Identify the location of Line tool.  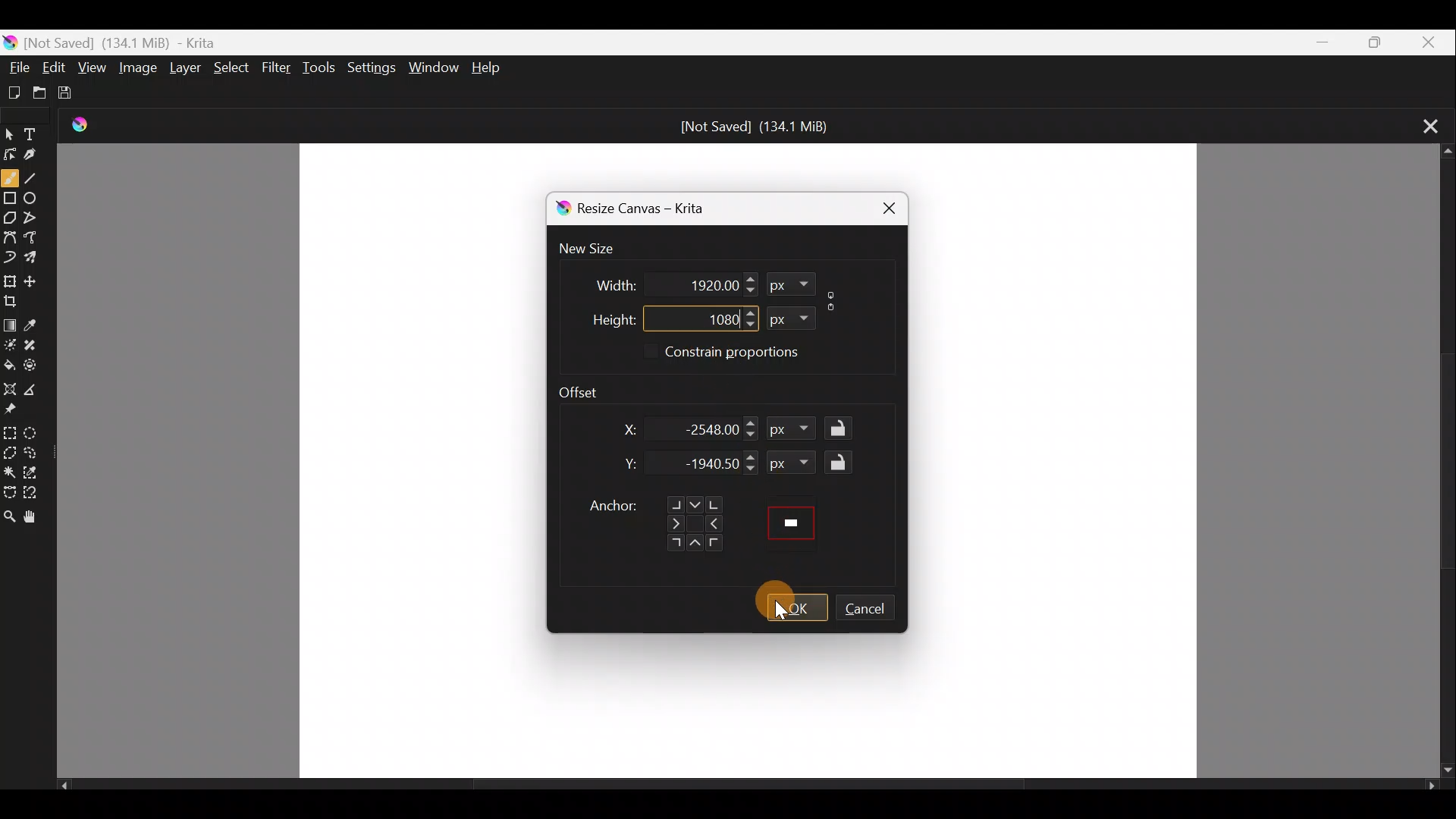
(35, 178).